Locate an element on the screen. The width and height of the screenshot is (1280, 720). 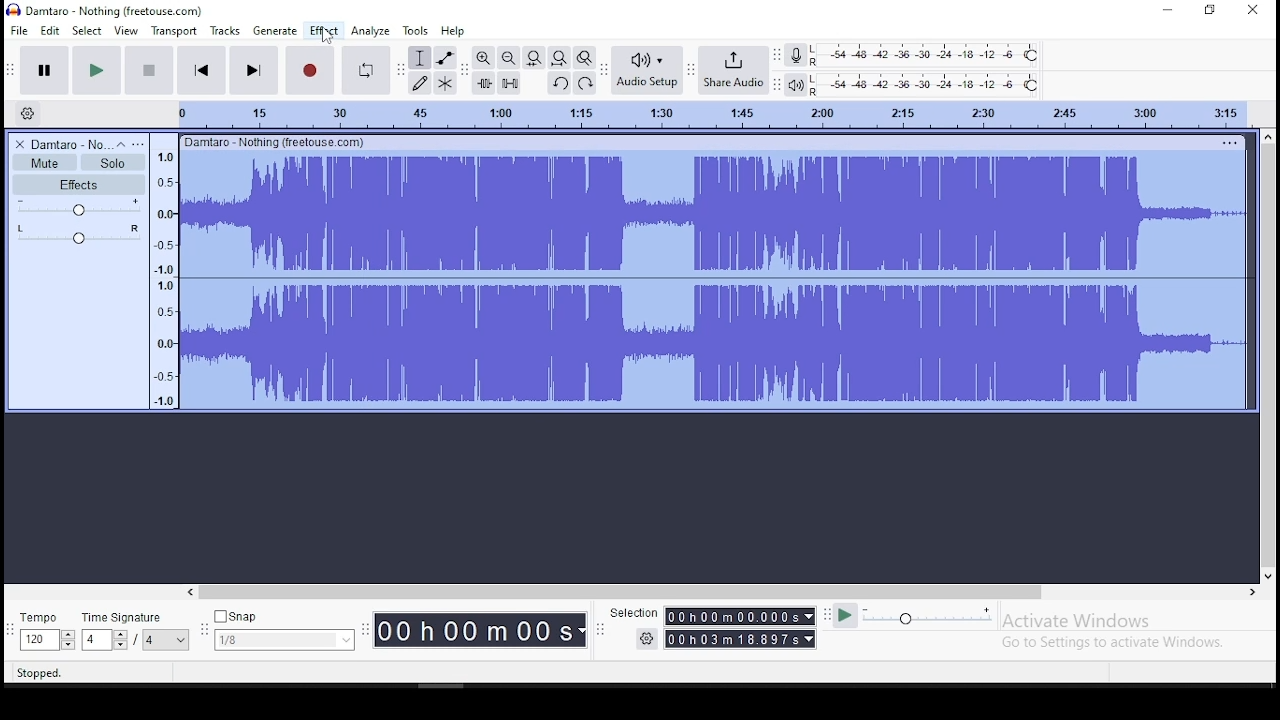
Drop down is located at coordinates (345, 638).